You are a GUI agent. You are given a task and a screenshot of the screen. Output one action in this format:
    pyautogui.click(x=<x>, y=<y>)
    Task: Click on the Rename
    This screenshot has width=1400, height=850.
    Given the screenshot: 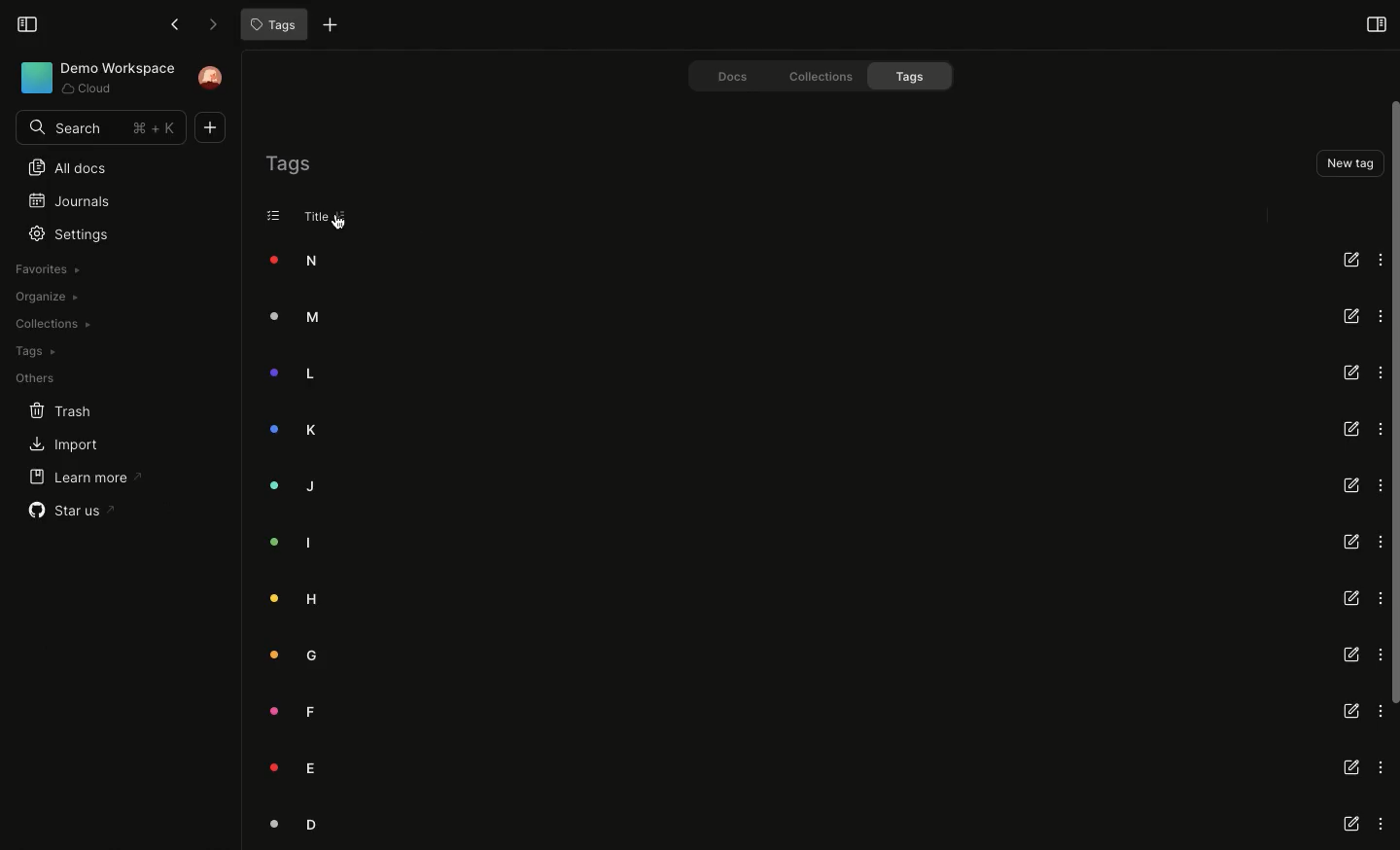 What is the action you would take?
    pyautogui.click(x=1352, y=426)
    